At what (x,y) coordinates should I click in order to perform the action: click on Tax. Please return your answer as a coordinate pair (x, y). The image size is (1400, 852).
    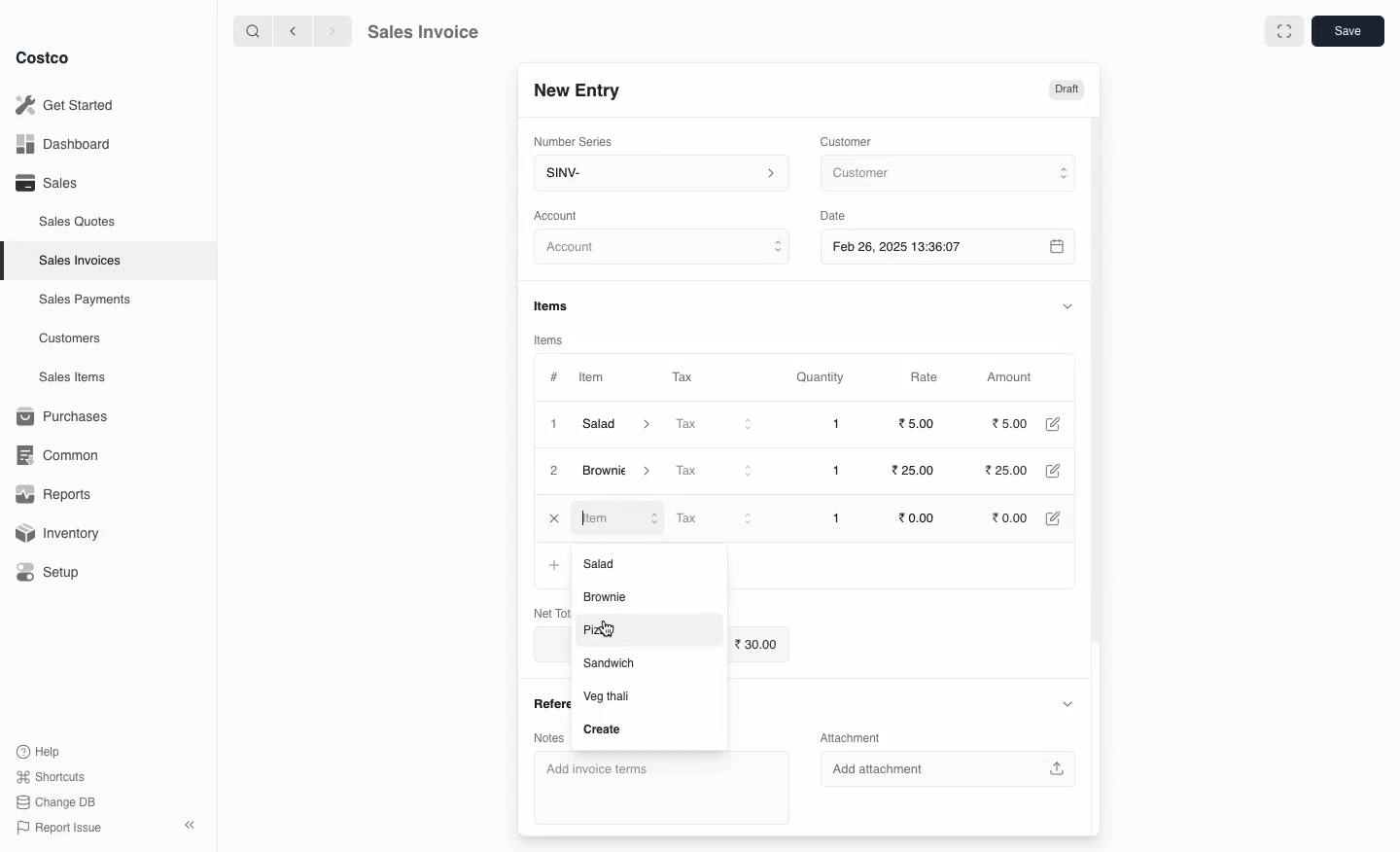
    Looking at the image, I should click on (714, 425).